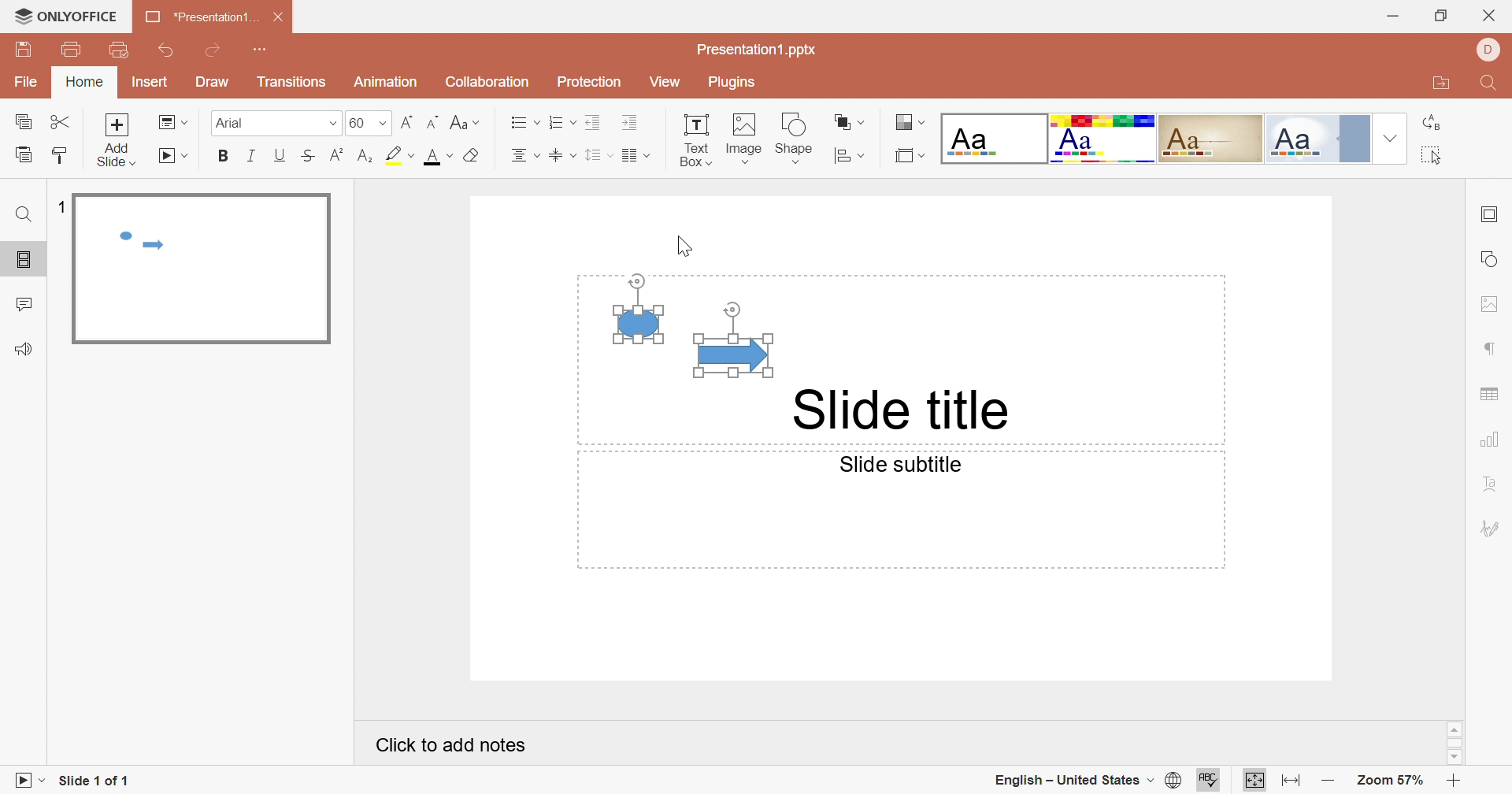 This screenshot has width=1512, height=794. Describe the element at coordinates (911, 121) in the screenshot. I see `Change color theme` at that location.